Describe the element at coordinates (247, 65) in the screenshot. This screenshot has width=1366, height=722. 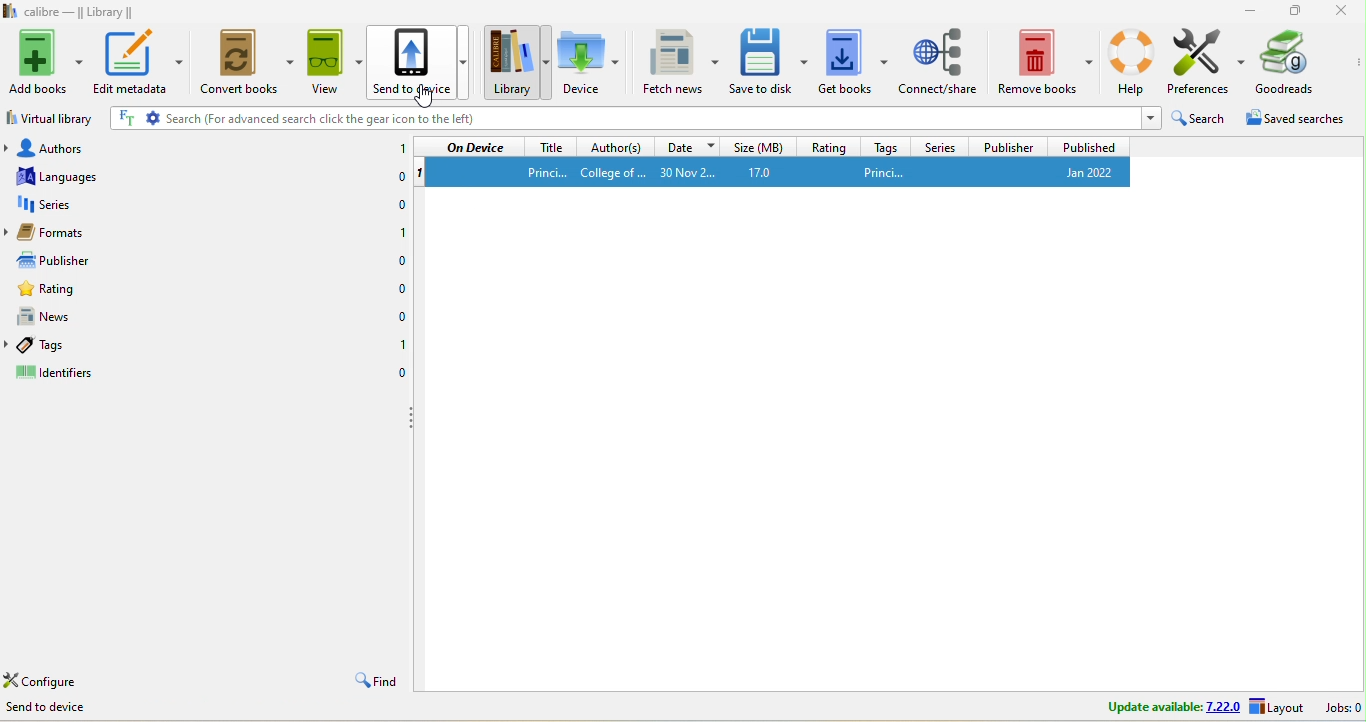
I see `convert books` at that location.